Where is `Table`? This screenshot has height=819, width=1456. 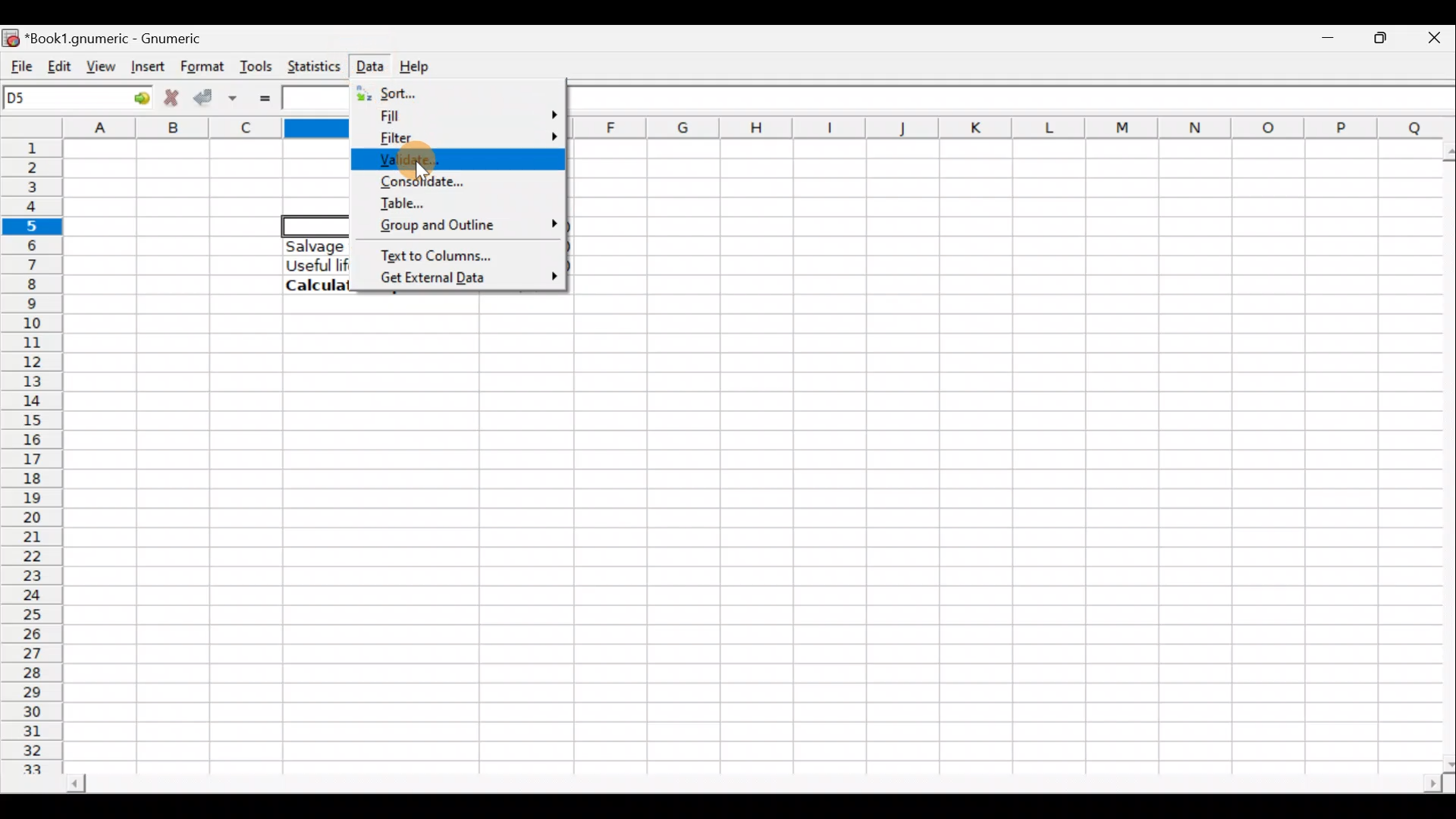 Table is located at coordinates (466, 203).